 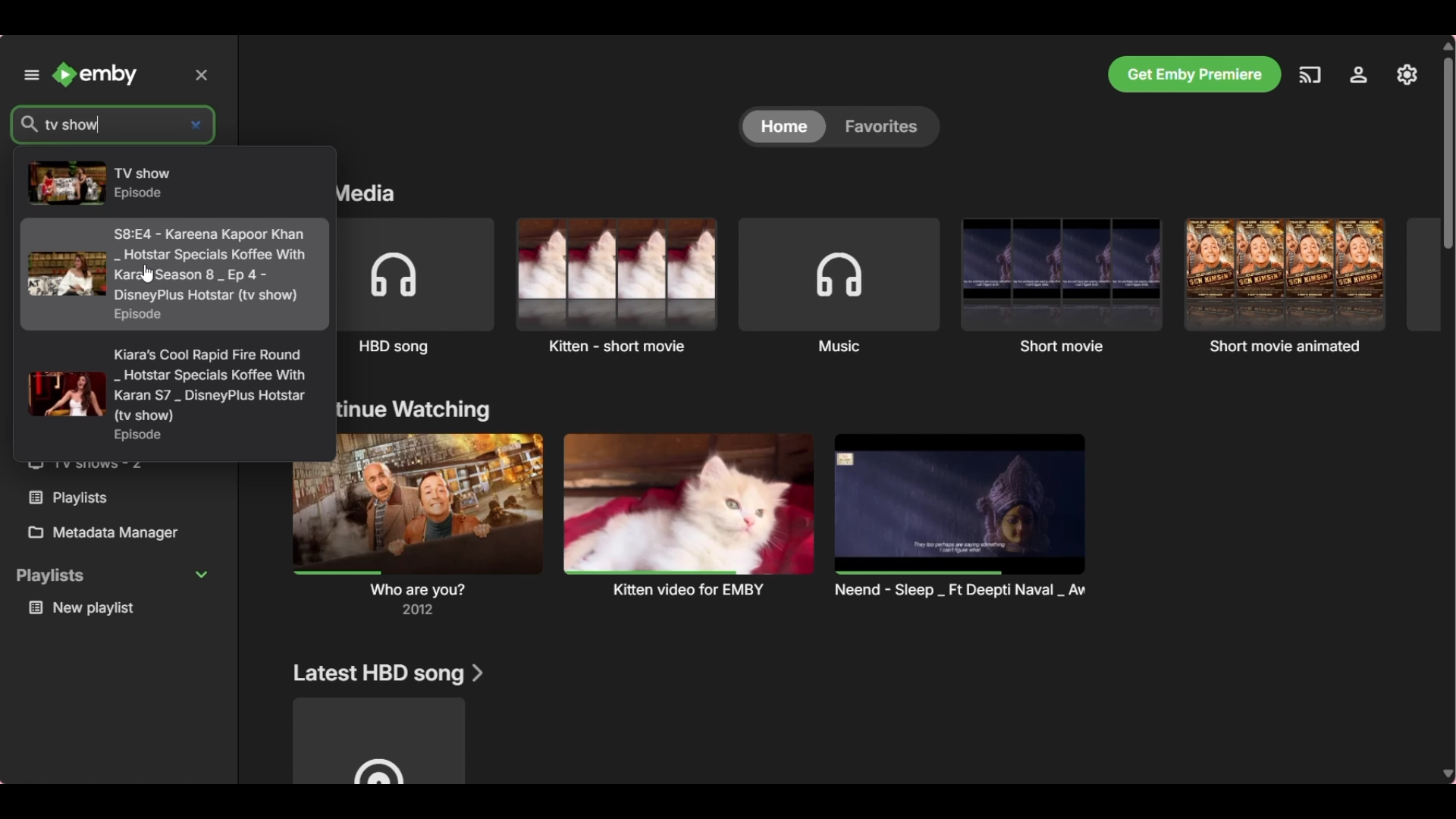 I want to click on Section title, so click(x=416, y=410).